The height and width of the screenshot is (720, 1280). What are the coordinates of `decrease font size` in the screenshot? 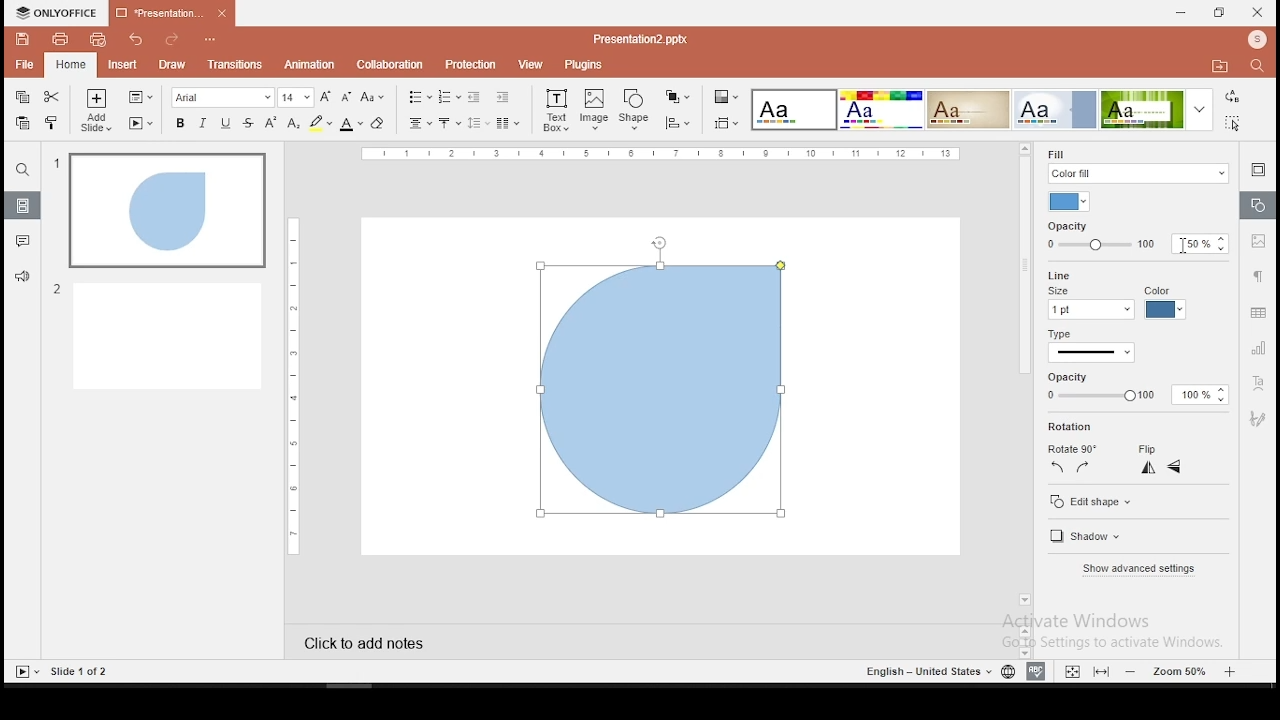 It's located at (346, 98).